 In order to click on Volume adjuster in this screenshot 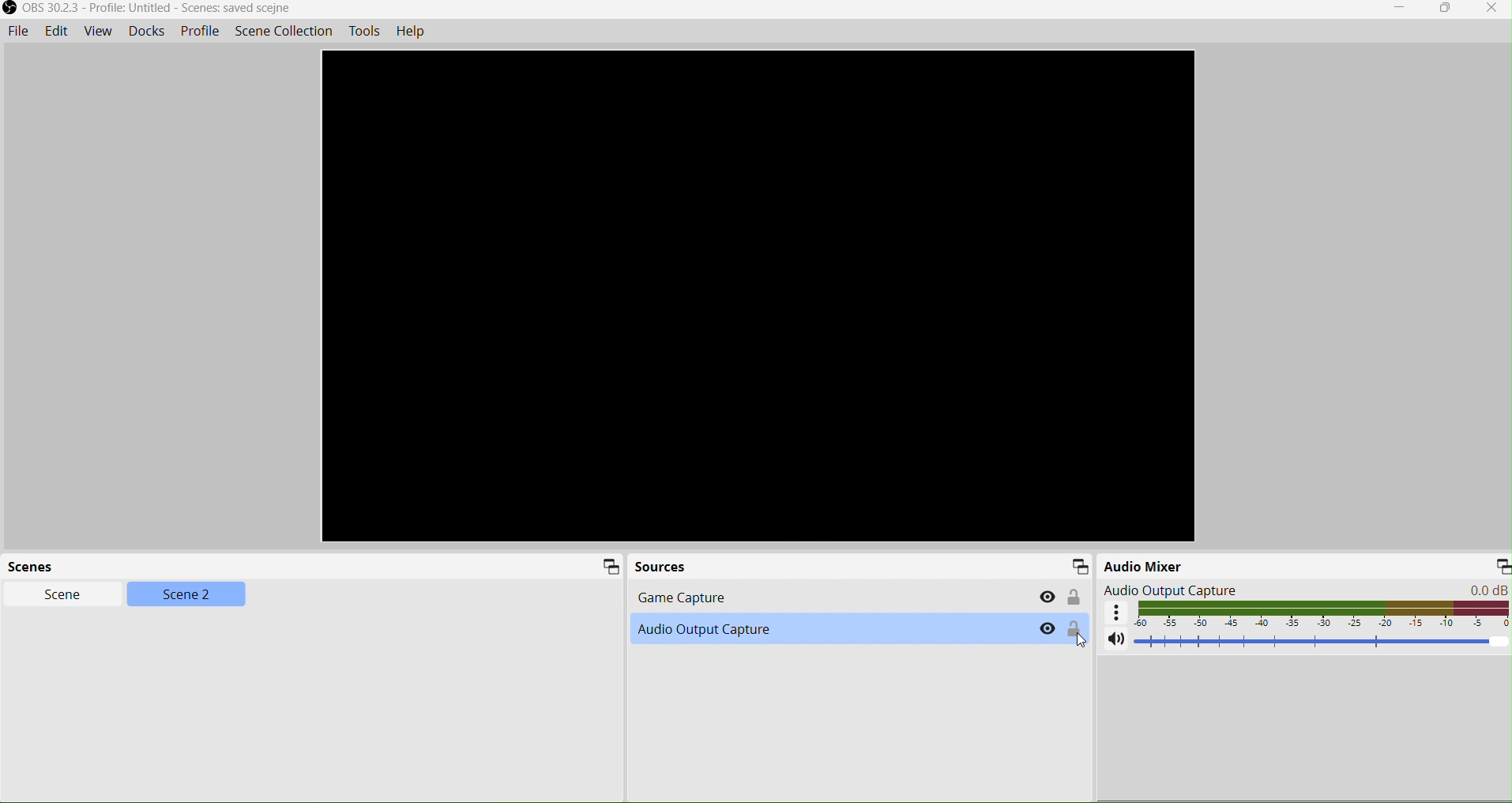, I will do `click(1322, 643)`.